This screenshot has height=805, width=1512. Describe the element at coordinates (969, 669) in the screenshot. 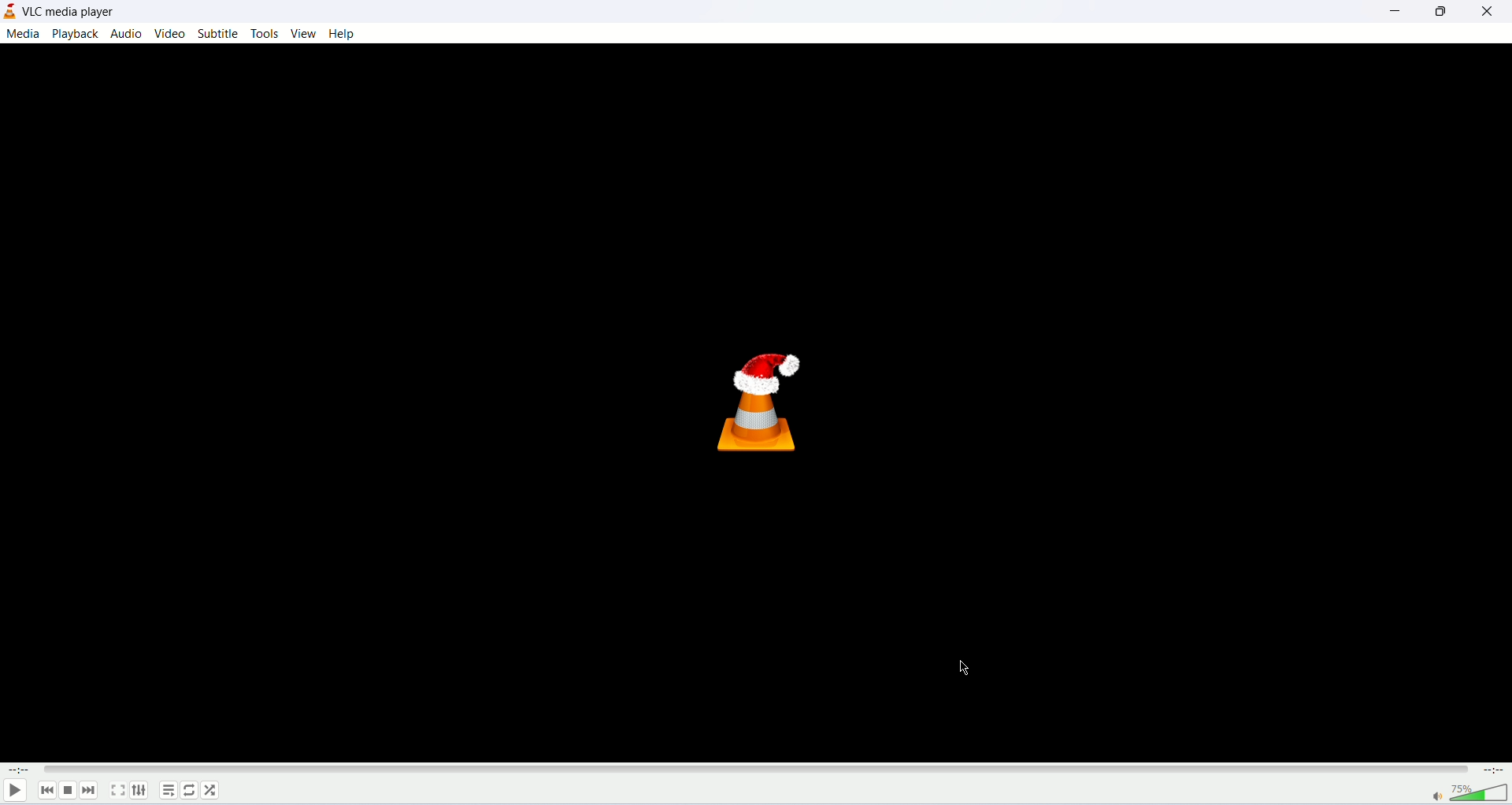

I see `cursor` at that location.